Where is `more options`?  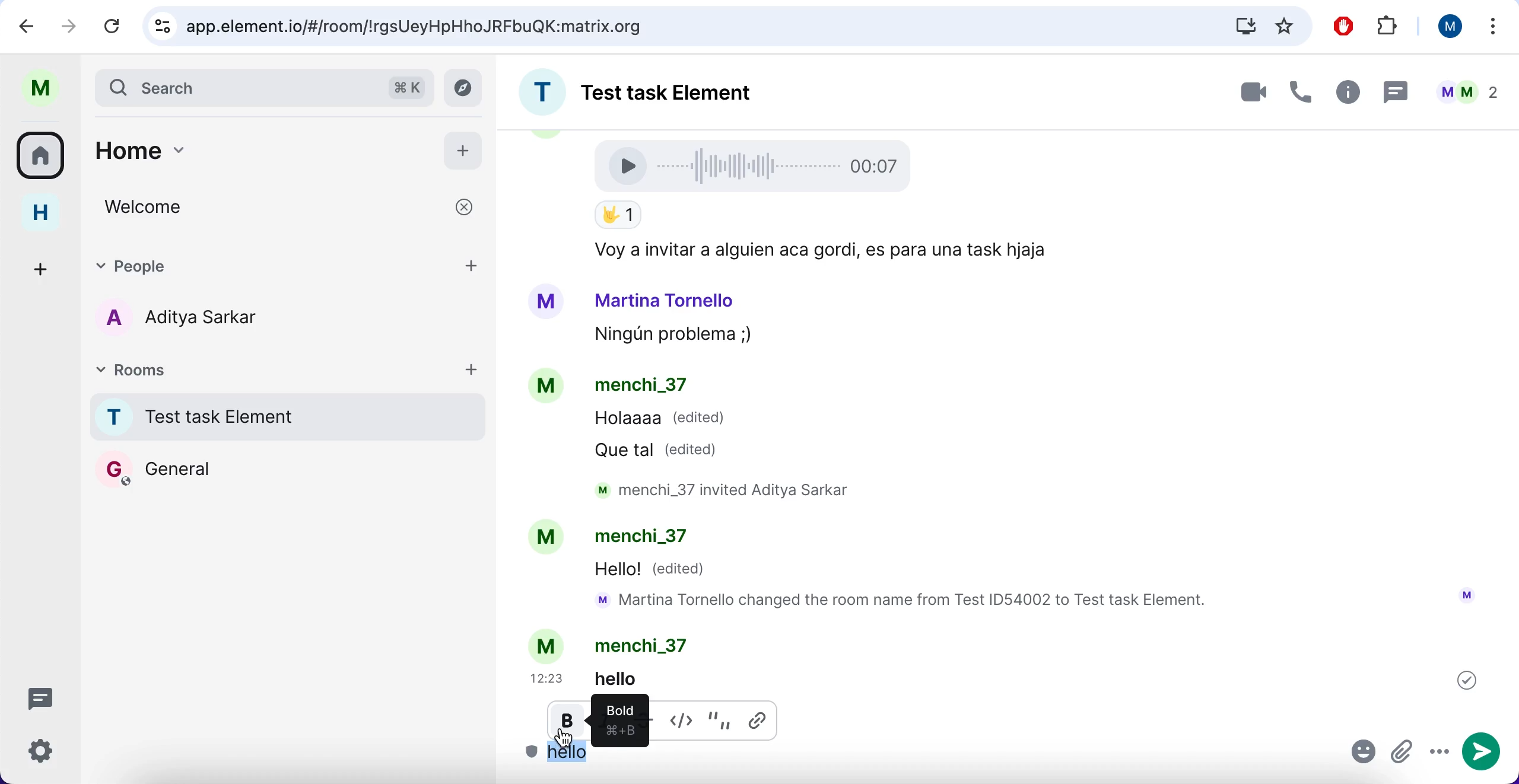 more options is located at coordinates (1439, 753).